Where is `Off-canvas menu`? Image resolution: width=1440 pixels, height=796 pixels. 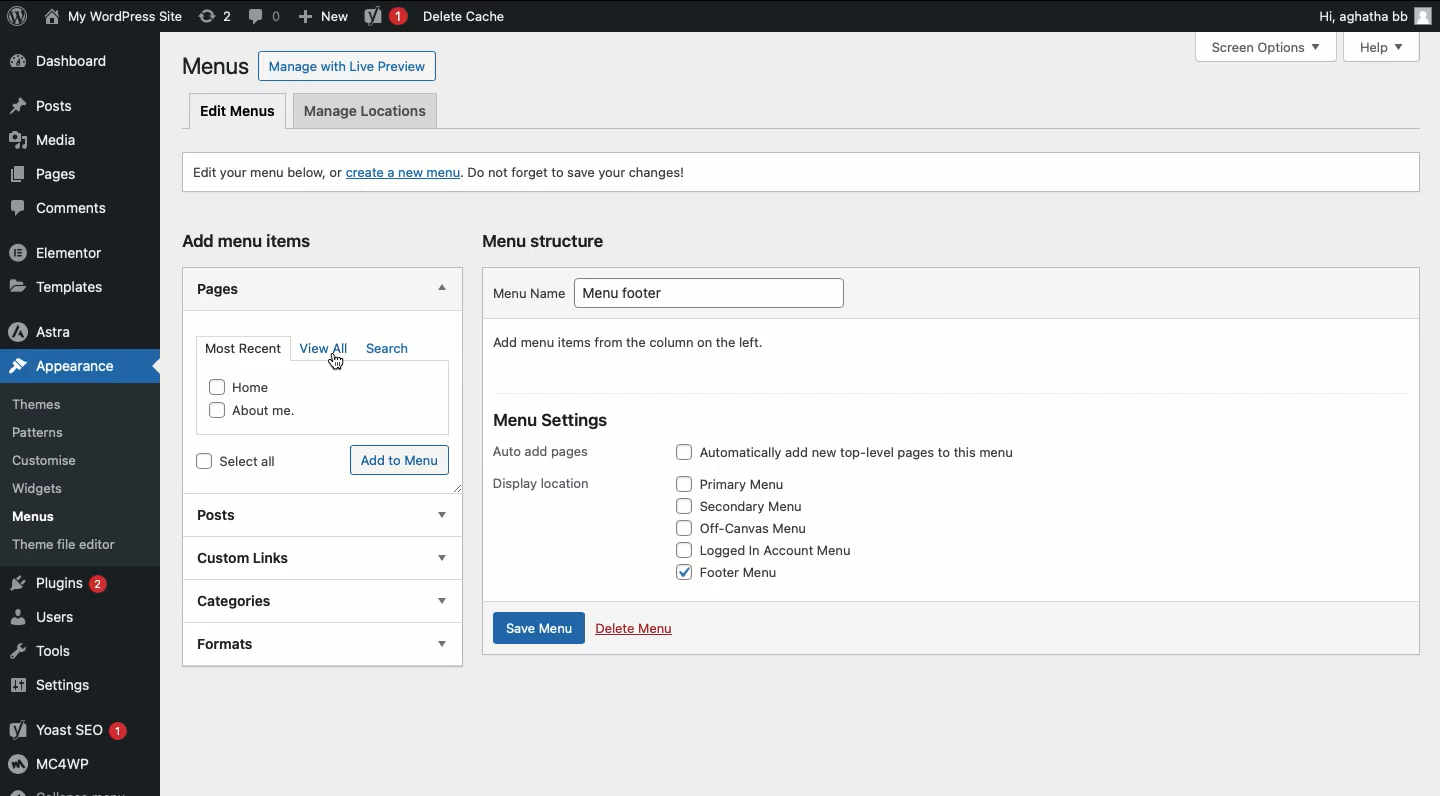 Off-canvas menu is located at coordinates (771, 528).